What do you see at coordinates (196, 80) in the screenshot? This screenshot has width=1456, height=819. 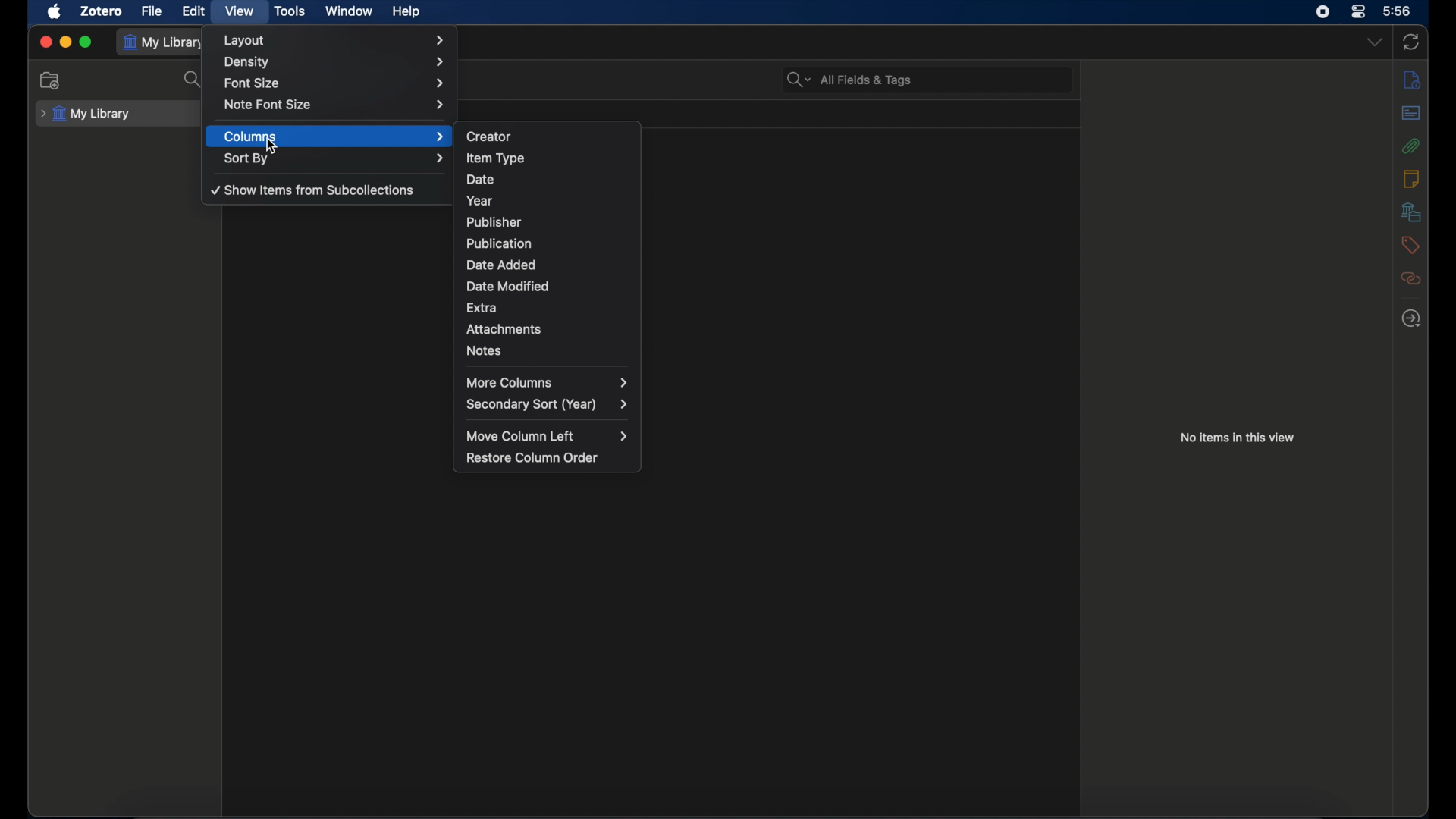 I see `search` at bounding box center [196, 80].